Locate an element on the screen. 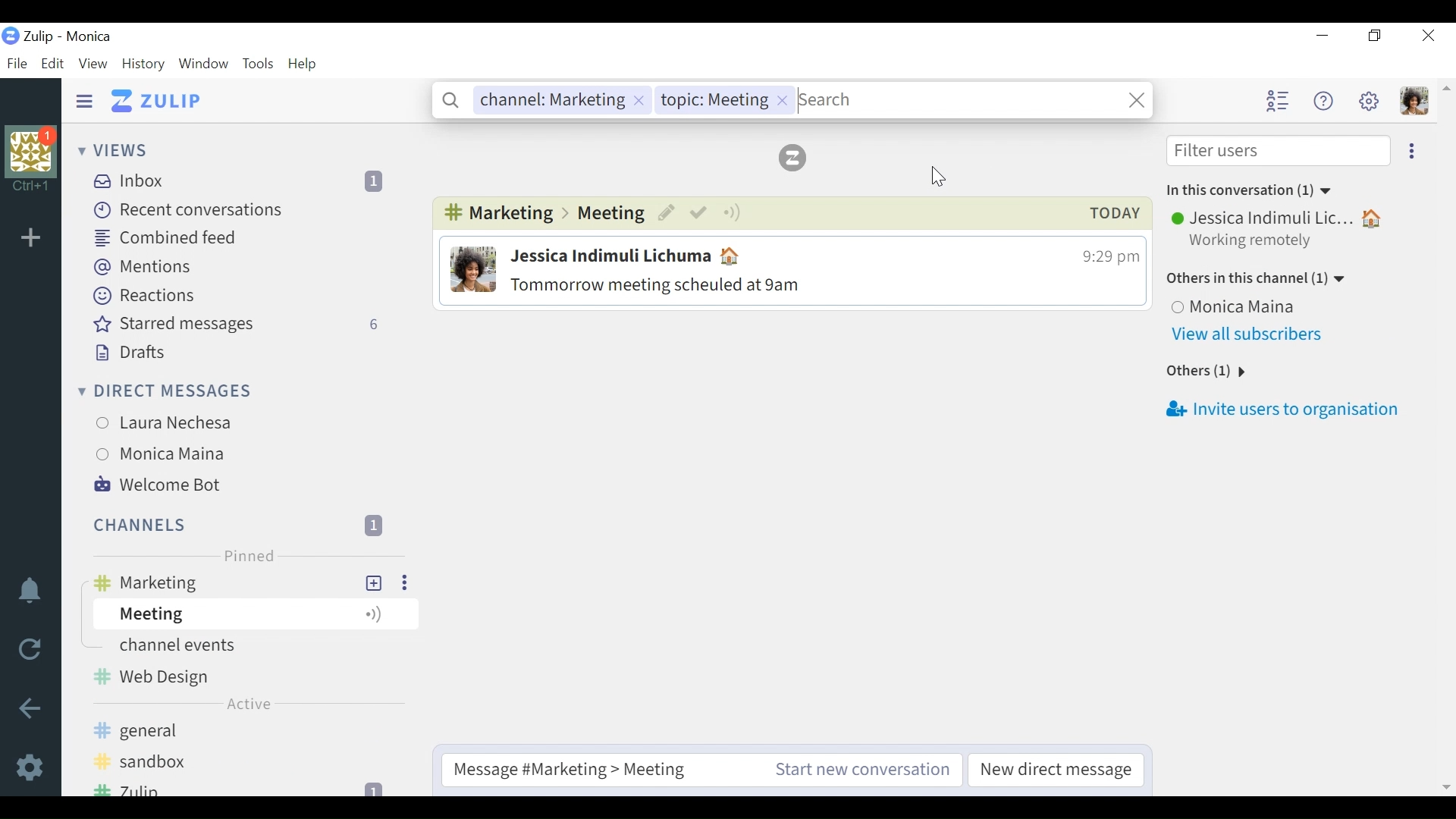  User Profile photo is located at coordinates (472, 269).